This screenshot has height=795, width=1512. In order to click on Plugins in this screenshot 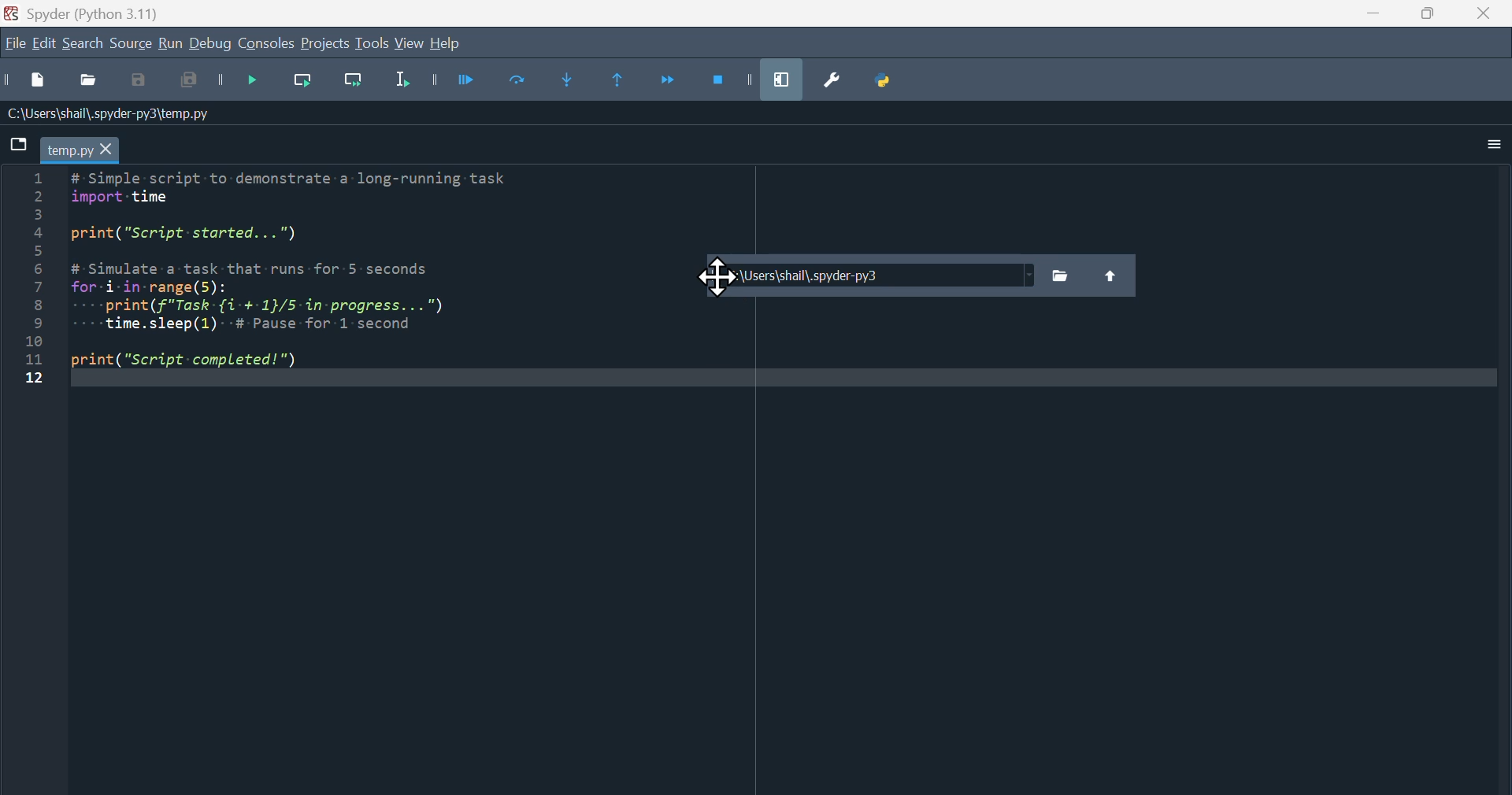, I will do `click(868, 279)`.